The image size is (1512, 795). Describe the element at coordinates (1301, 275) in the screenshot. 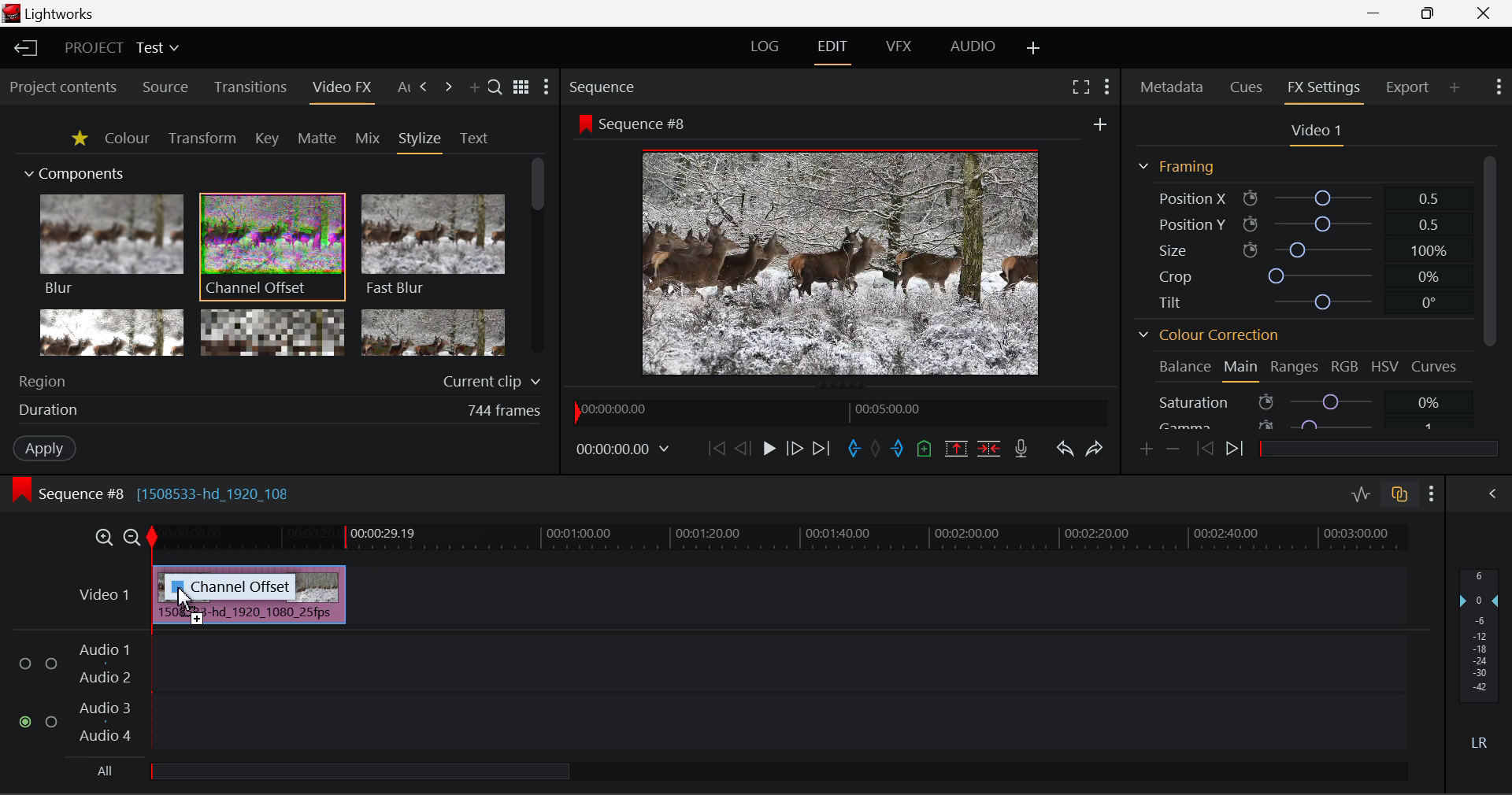

I see `Crop` at that location.